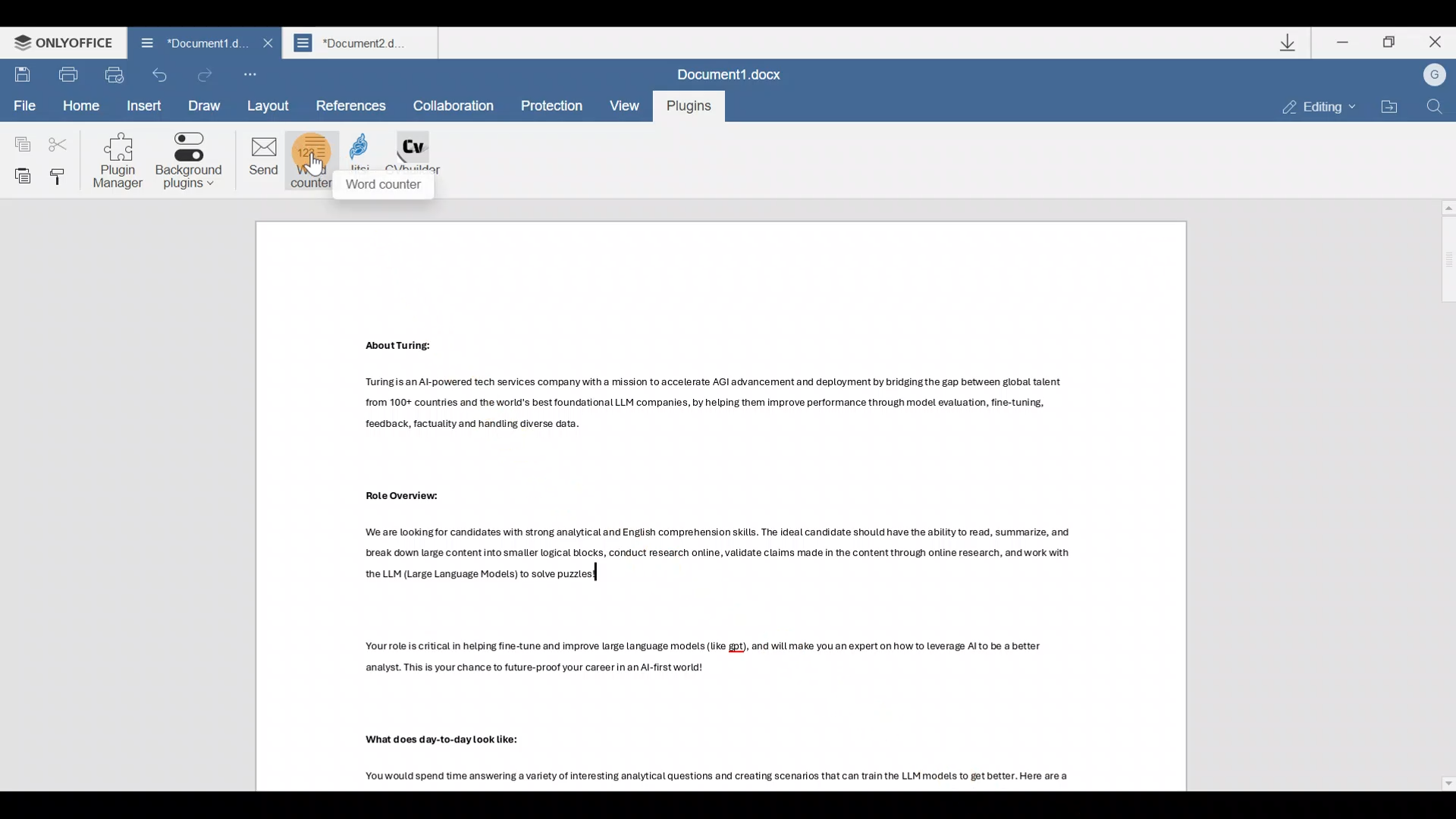 The height and width of the screenshot is (819, 1456). What do you see at coordinates (24, 106) in the screenshot?
I see `File` at bounding box center [24, 106].